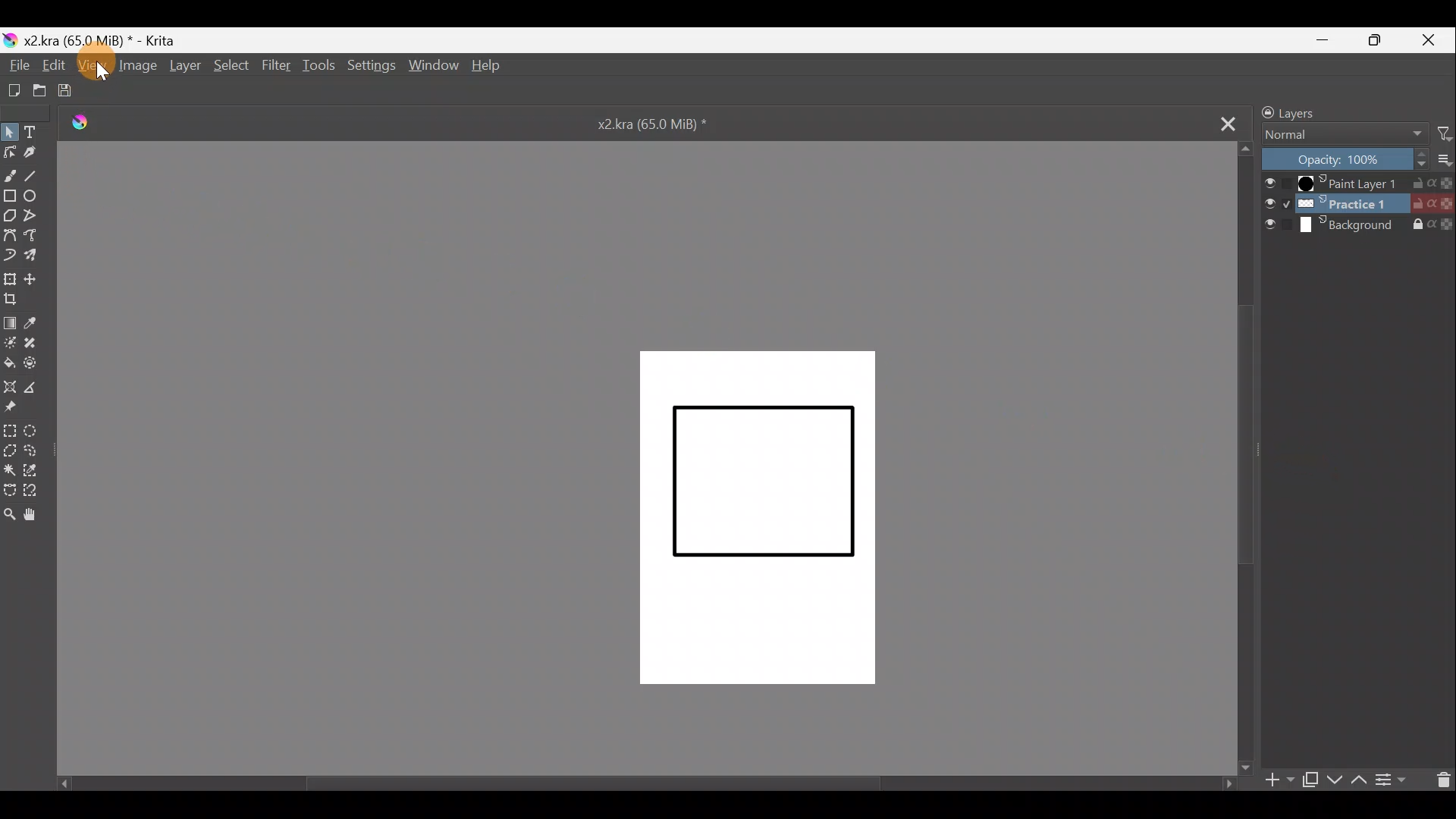 This screenshot has height=819, width=1456. Describe the element at coordinates (184, 67) in the screenshot. I see `Layer` at that location.